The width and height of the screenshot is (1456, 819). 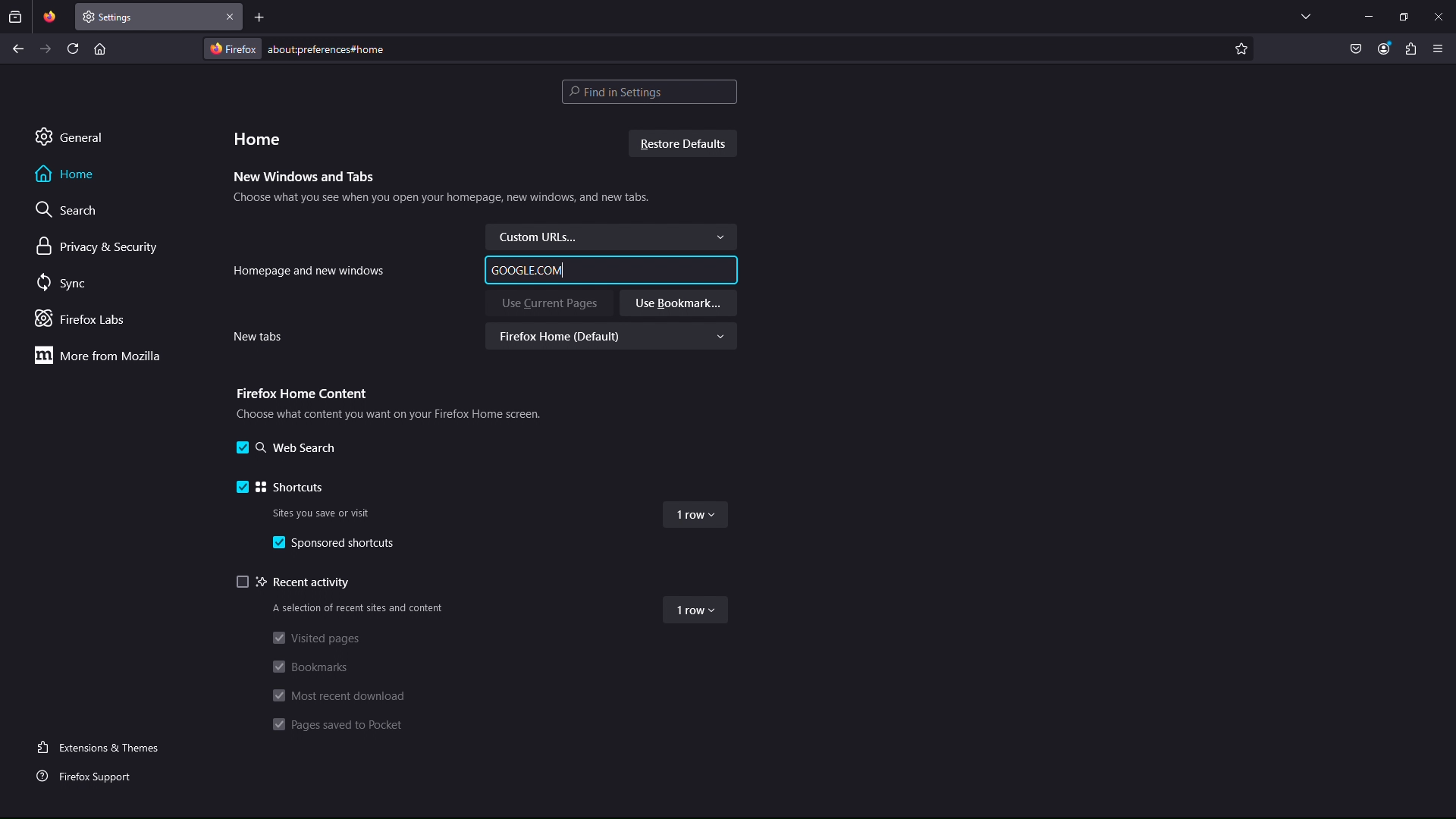 I want to click on Choose what content you want on your Firefox Home screen, so click(x=384, y=413).